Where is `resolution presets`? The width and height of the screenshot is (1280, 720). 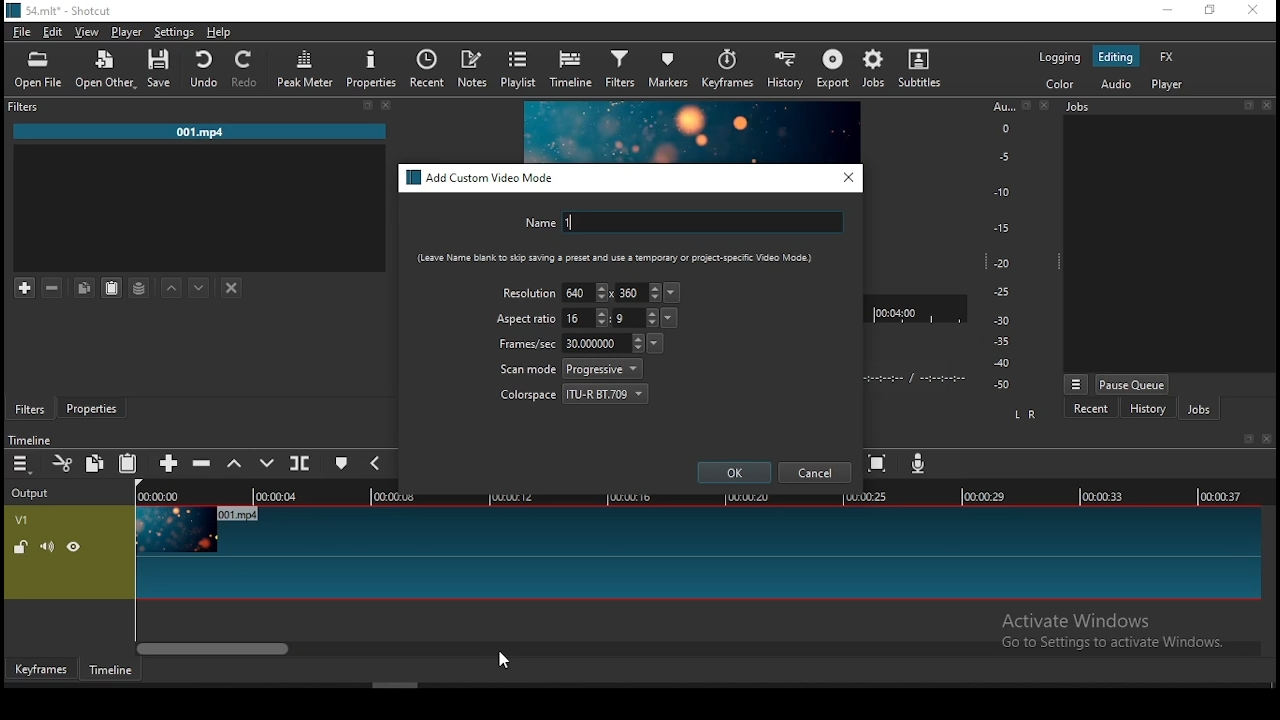
resolution presets is located at coordinates (674, 293).